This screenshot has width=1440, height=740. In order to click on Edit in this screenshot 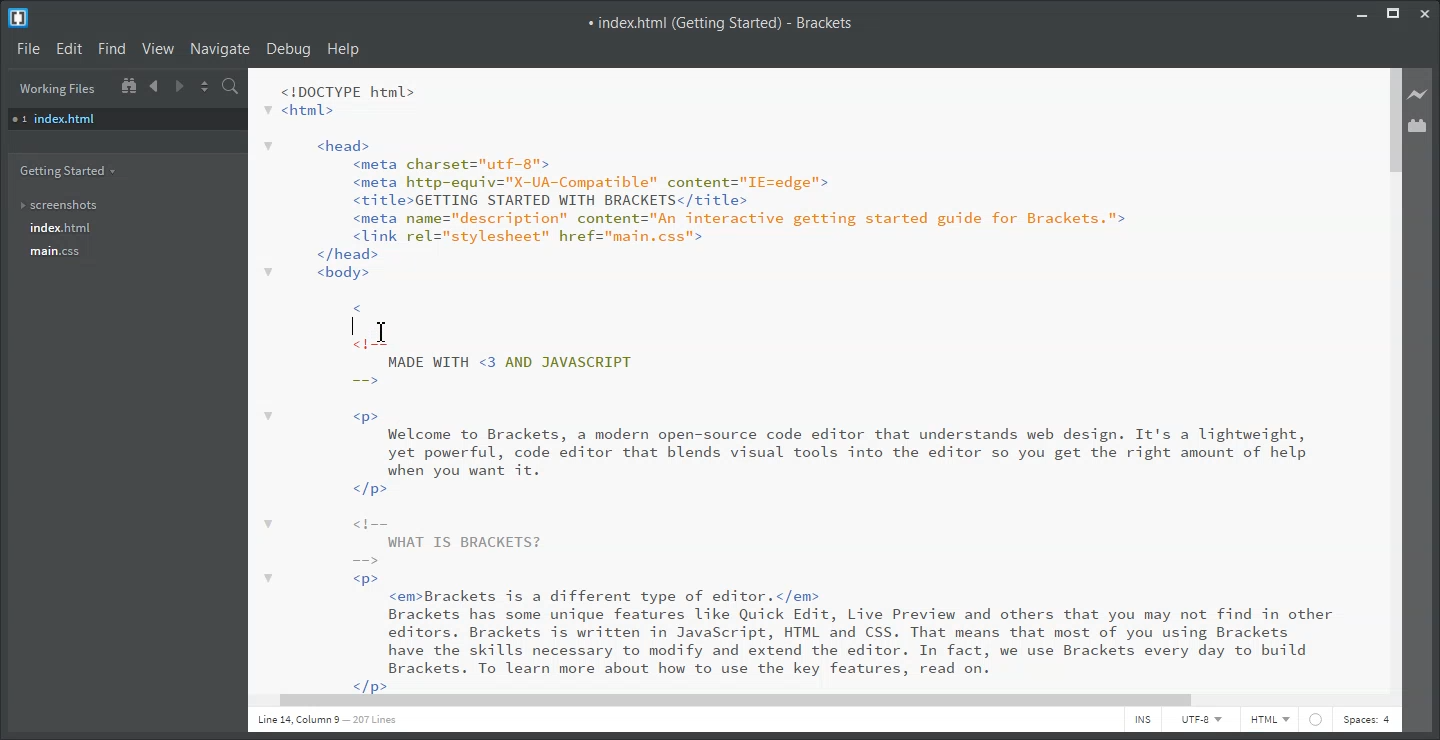, I will do `click(69, 49)`.